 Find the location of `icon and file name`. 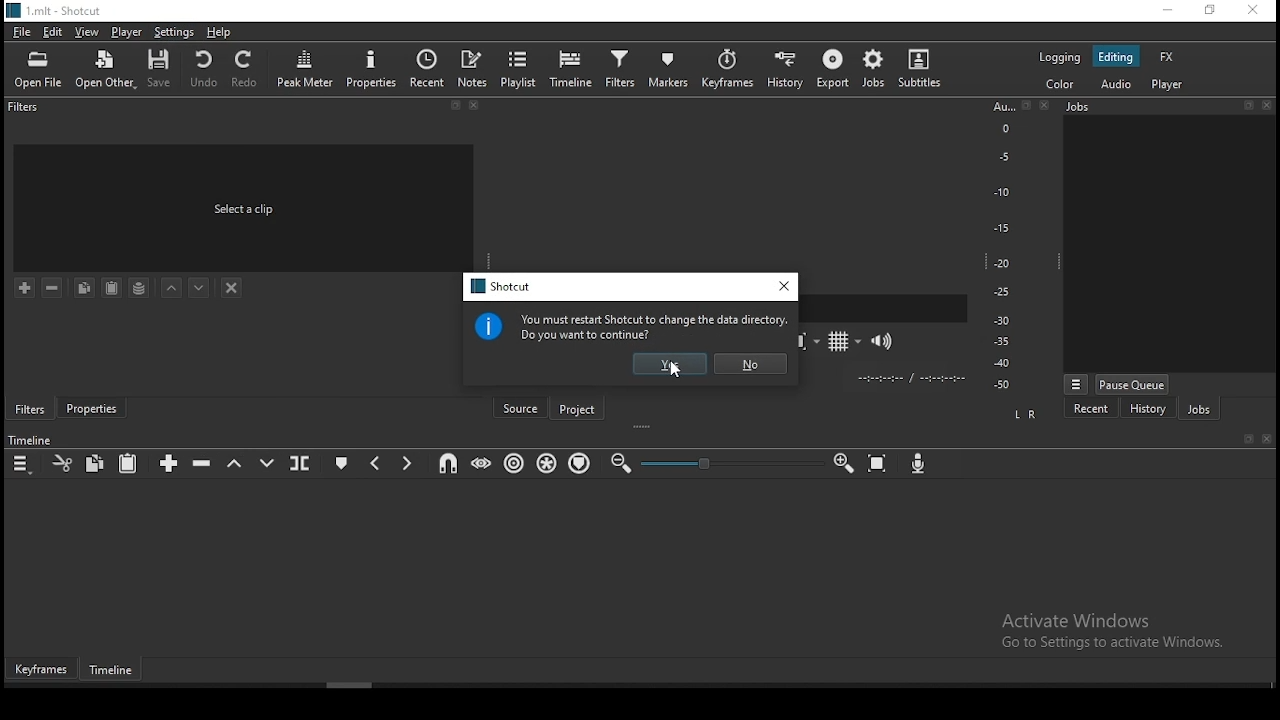

icon and file name is located at coordinates (56, 11).